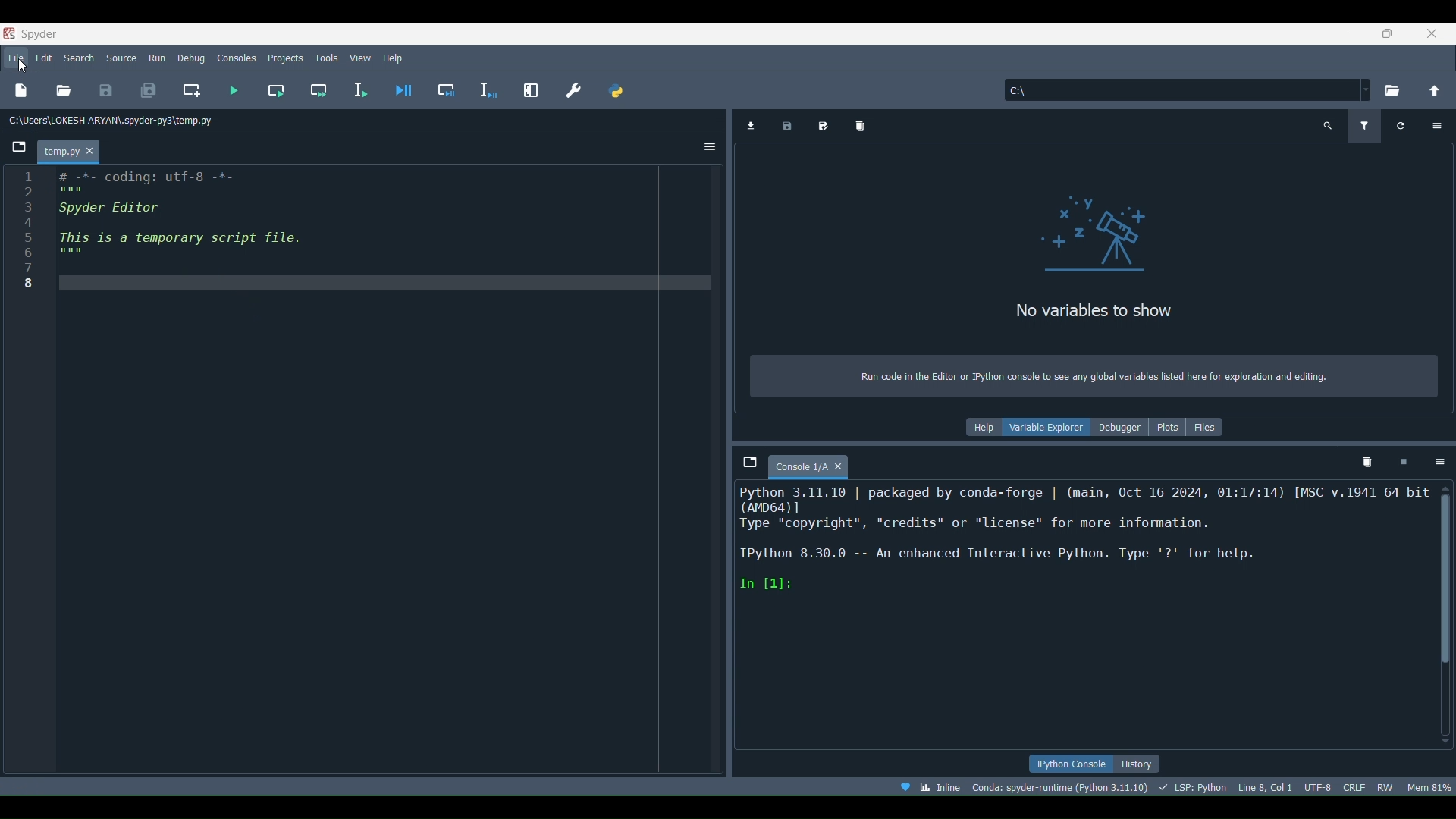 Image resolution: width=1456 pixels, height=819 pixels. Describe the element at coordinates (326, 56) in the screenshot. I see `Tools` at that location.